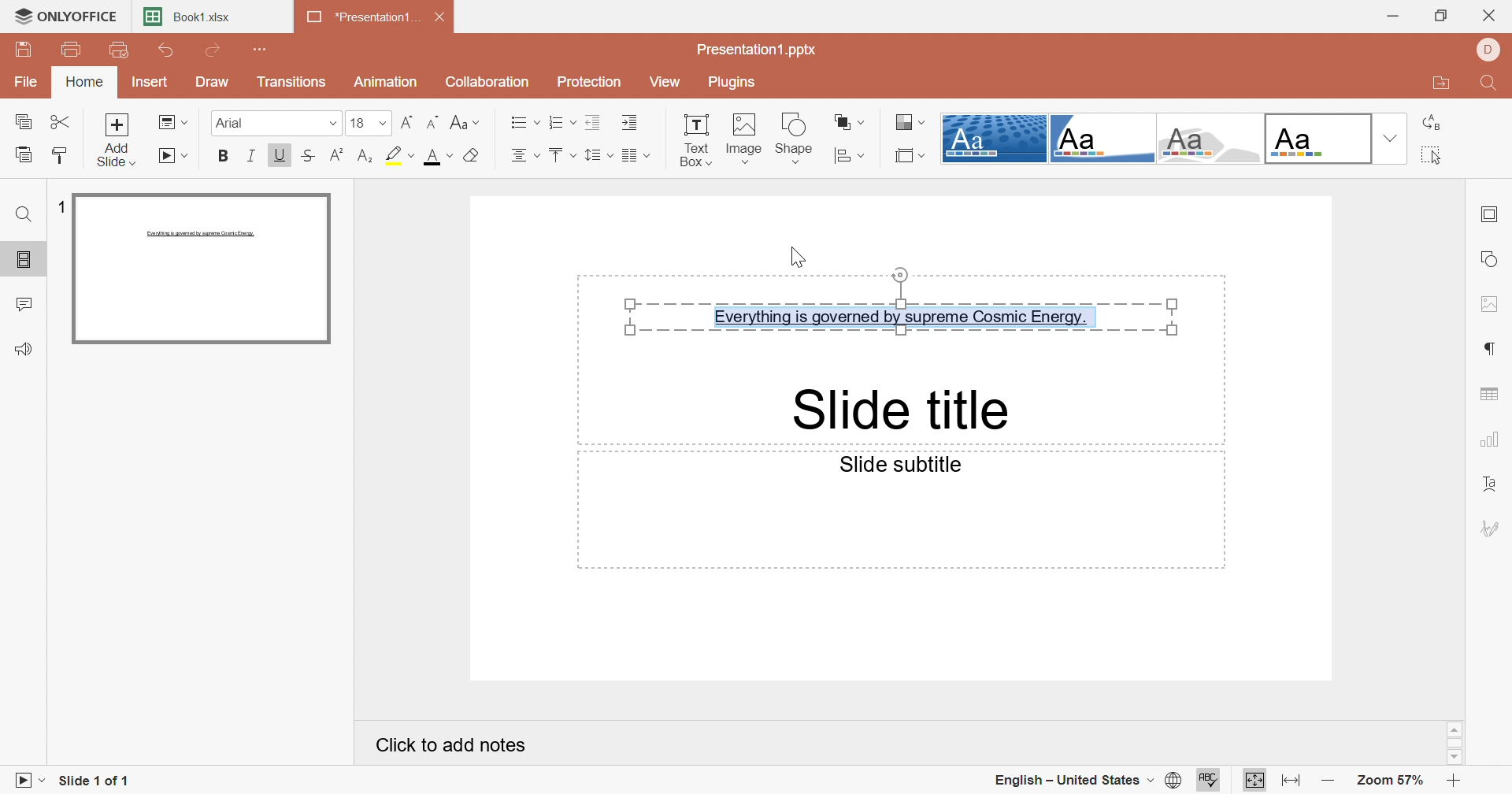  What do you see at coordinates (907, 121) in the screenshot?
I see `Change color theme` at bounding box center [907, 121].